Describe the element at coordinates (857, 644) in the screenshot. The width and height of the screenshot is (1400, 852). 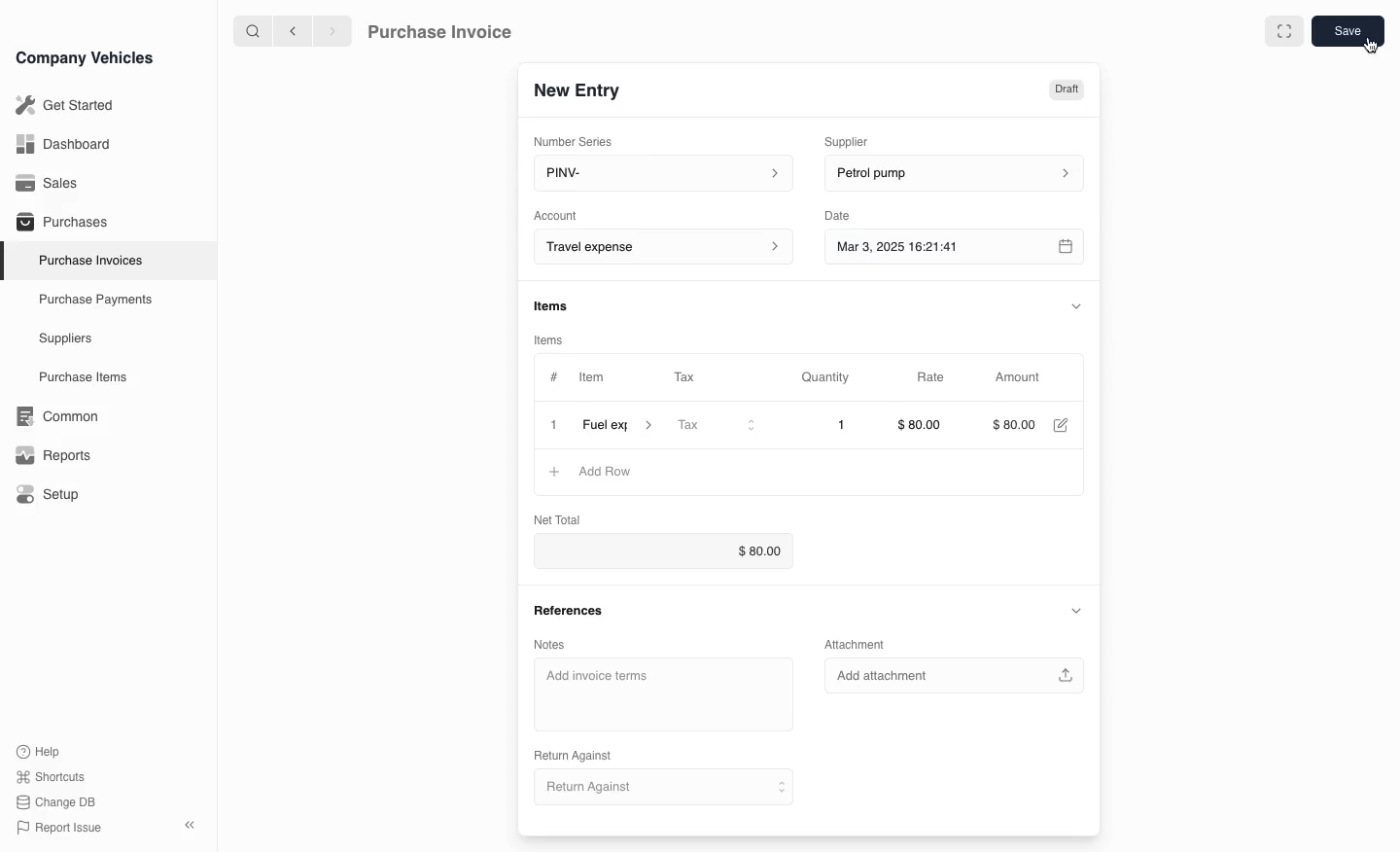
I see `Attachment` at that location.